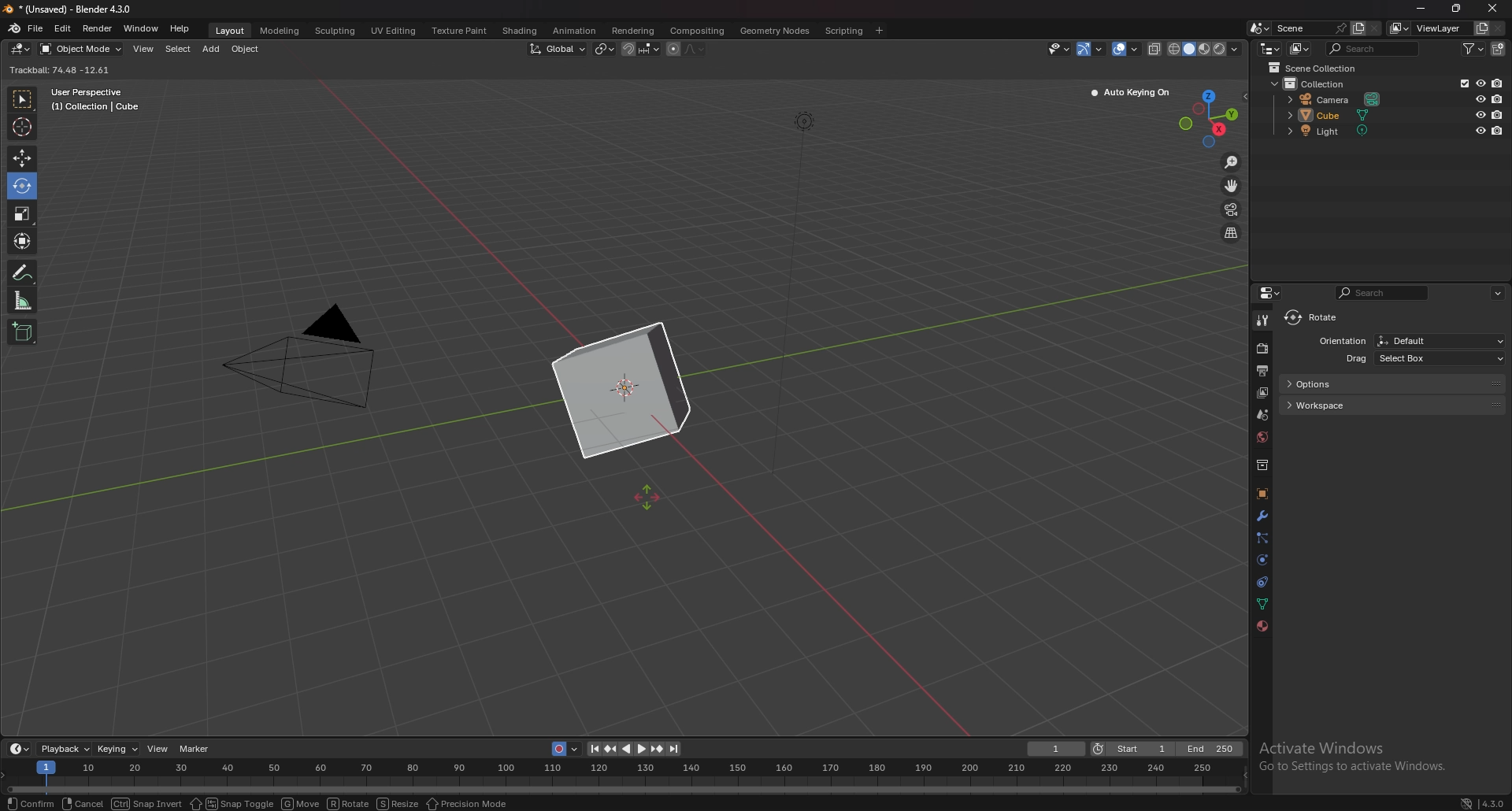 Image resolution: width=1512 pixels, height=811 pixels. I want to click on help, so click(181, 29).